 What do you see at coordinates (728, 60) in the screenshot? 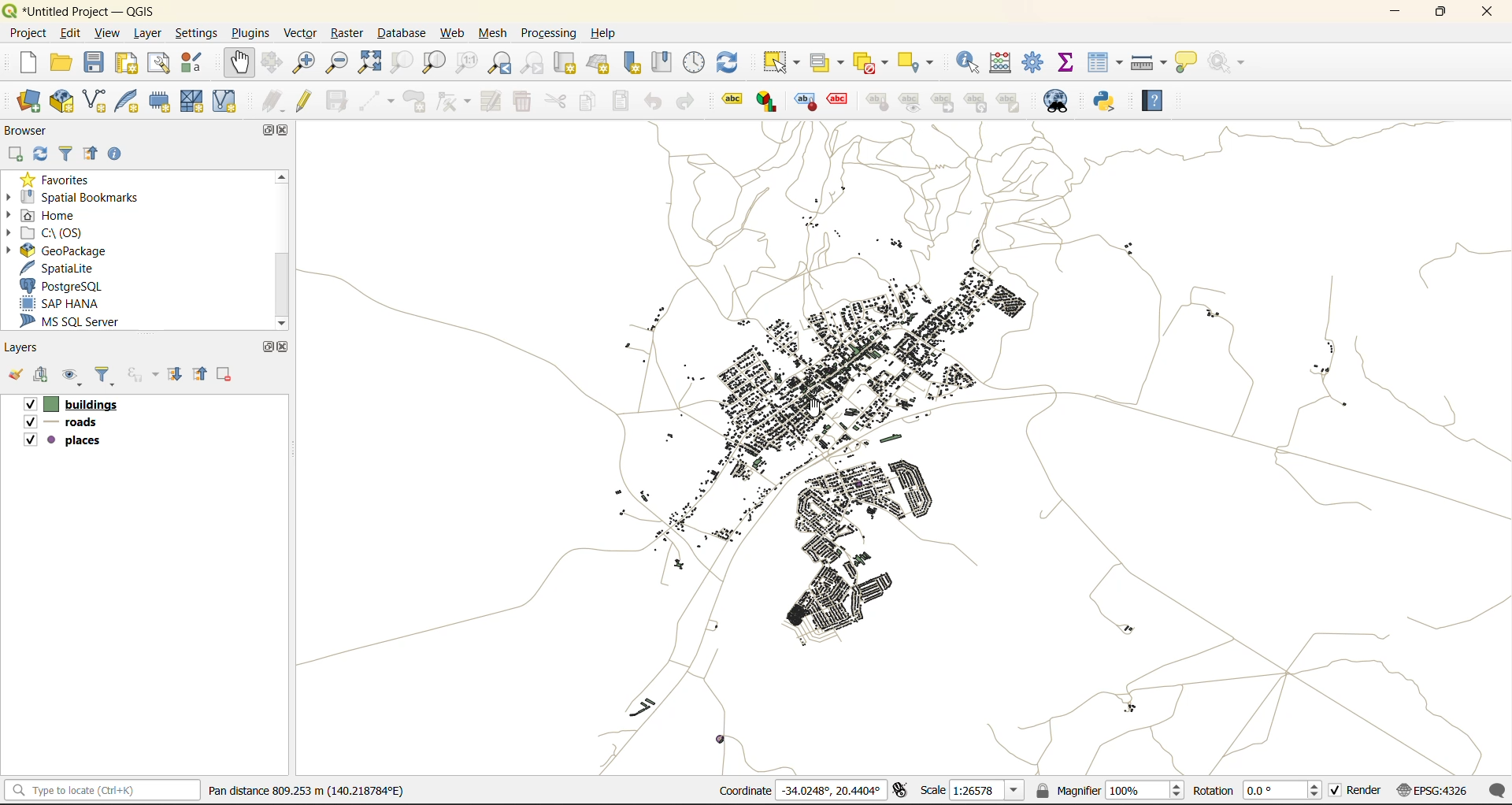
I see `refresh` at bounding box center [728, 60].